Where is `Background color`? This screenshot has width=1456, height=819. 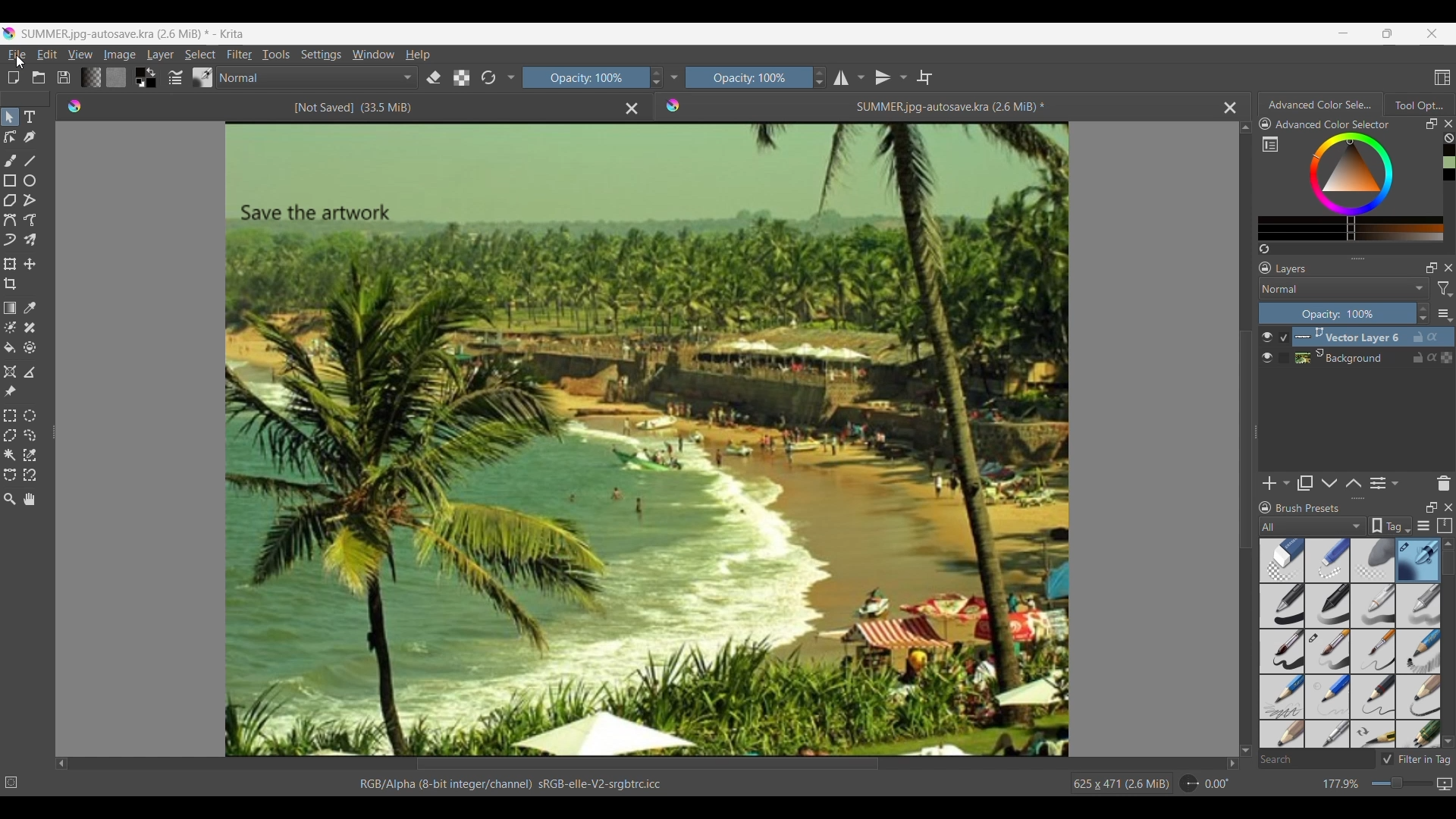 Background color is located at coordinates (152, 83).